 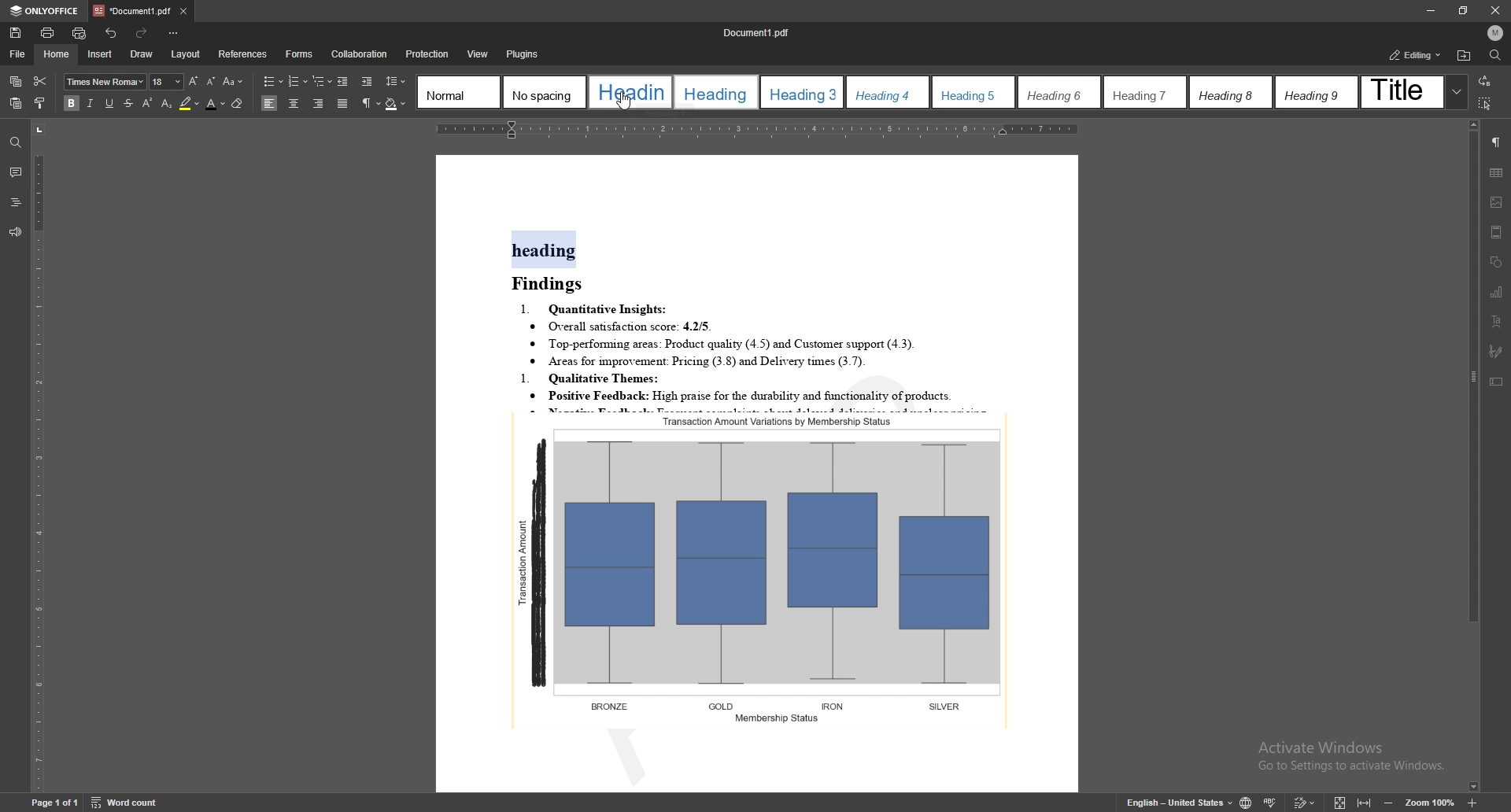 I want to click on resize, so click(x=1463, y=10).